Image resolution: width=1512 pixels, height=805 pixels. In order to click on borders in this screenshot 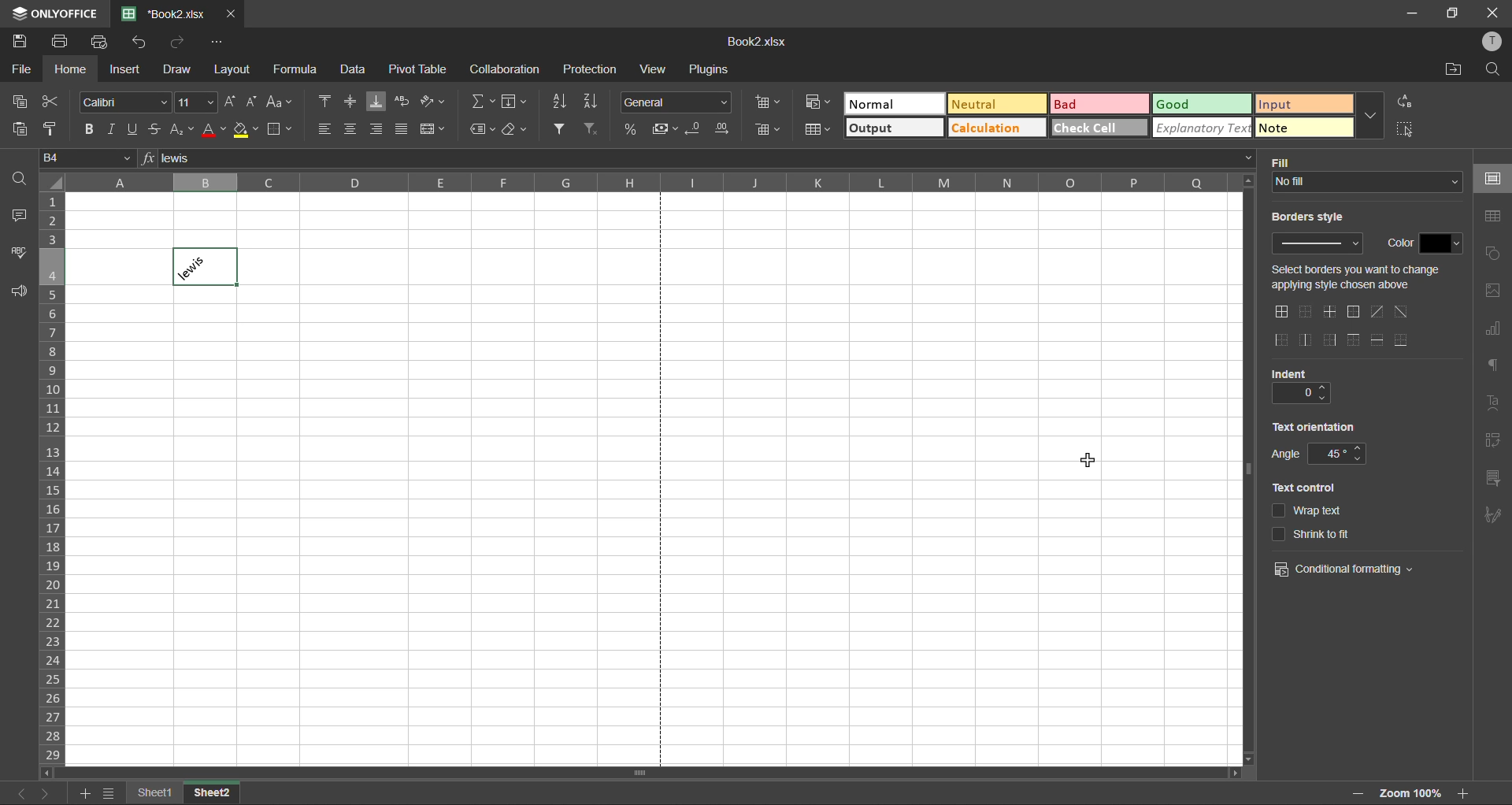, I will do `click(282, 130)`.